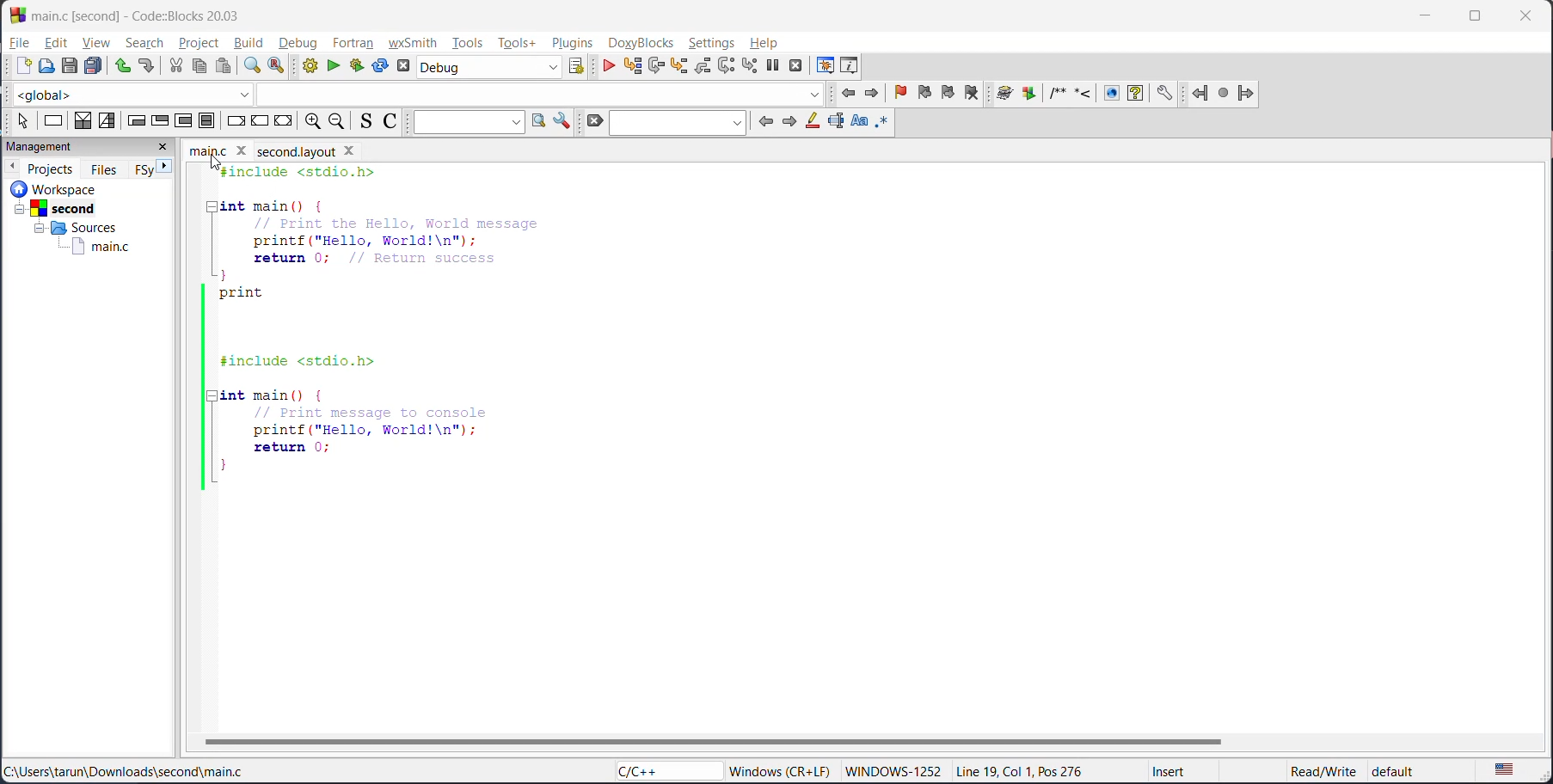 The height and width of the screenshot is (784, 1553). What do you see at coordinates (104, 168) in the screenshot?
I see `files` at bounding box center [104, 168].